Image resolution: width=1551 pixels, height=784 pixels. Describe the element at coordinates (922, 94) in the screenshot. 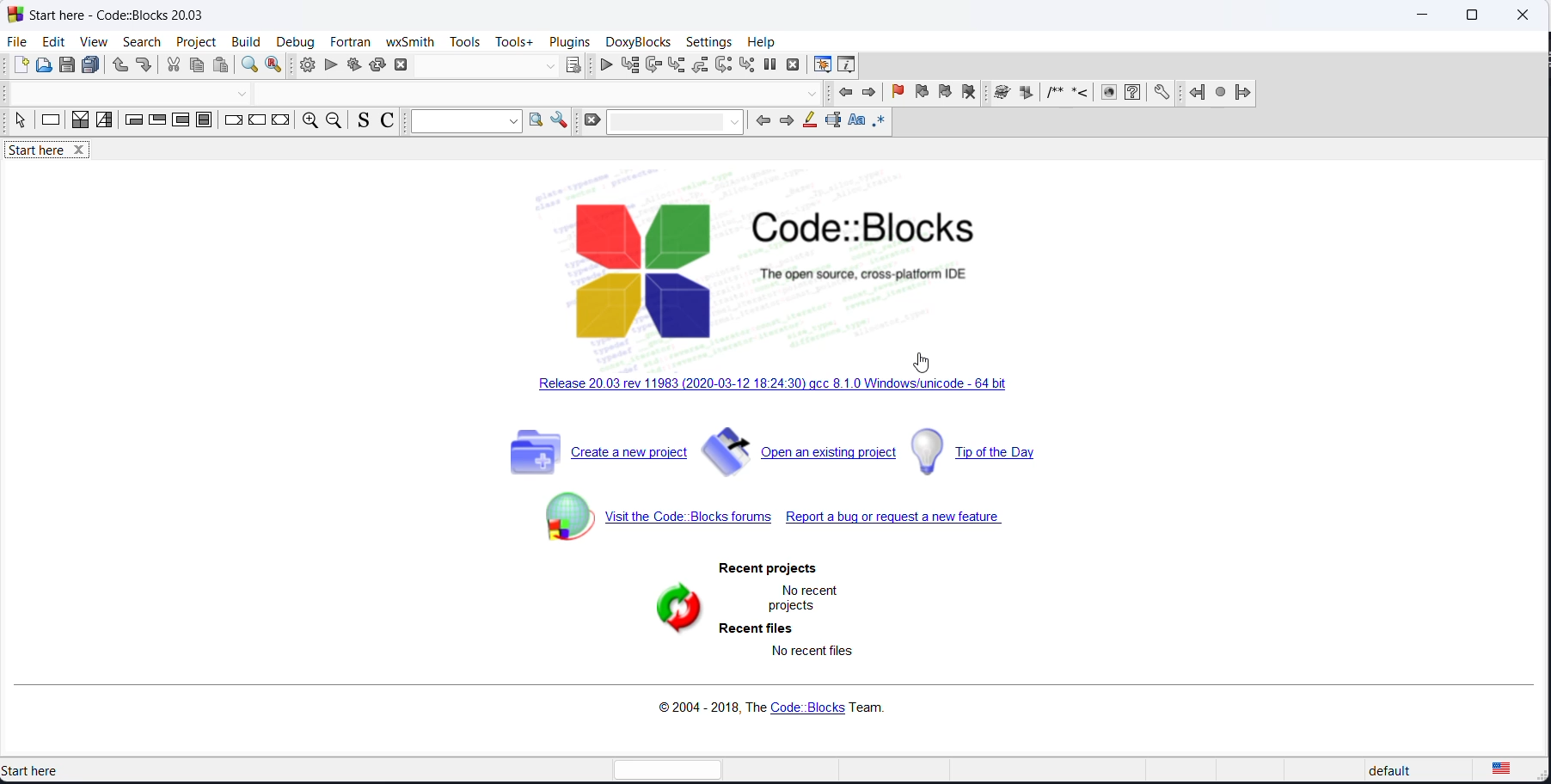

I see `previous bookmark` at that location.